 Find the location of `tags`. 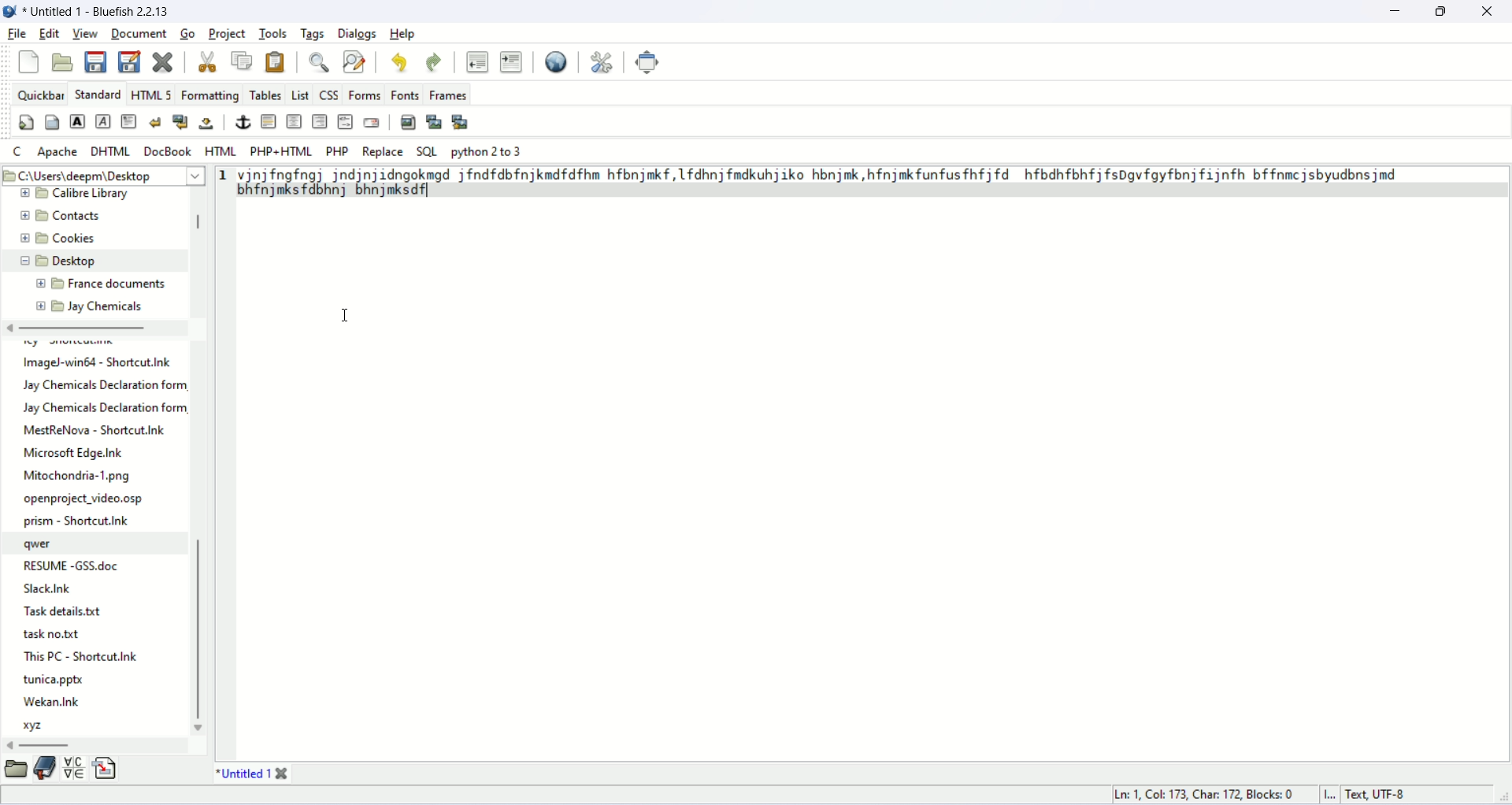

tags is located at coordinates (313, 33).